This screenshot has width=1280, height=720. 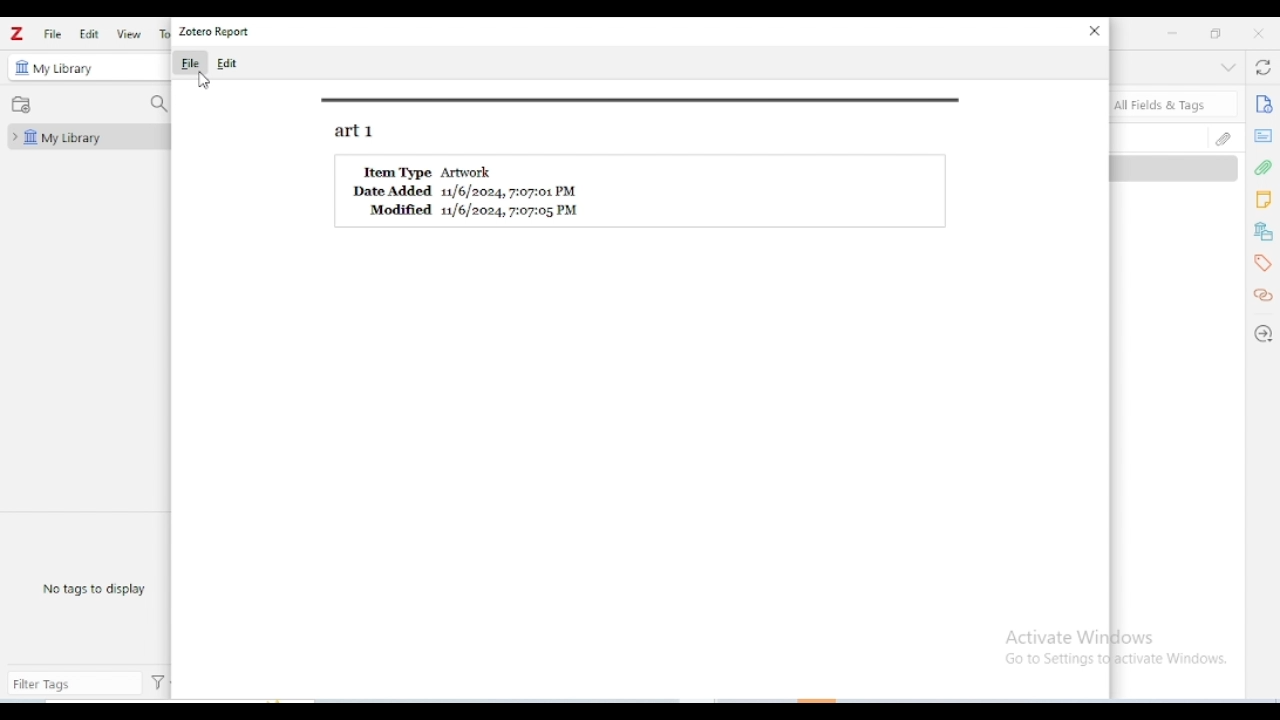 I want to click on notes, so click(x=1263, y=200).